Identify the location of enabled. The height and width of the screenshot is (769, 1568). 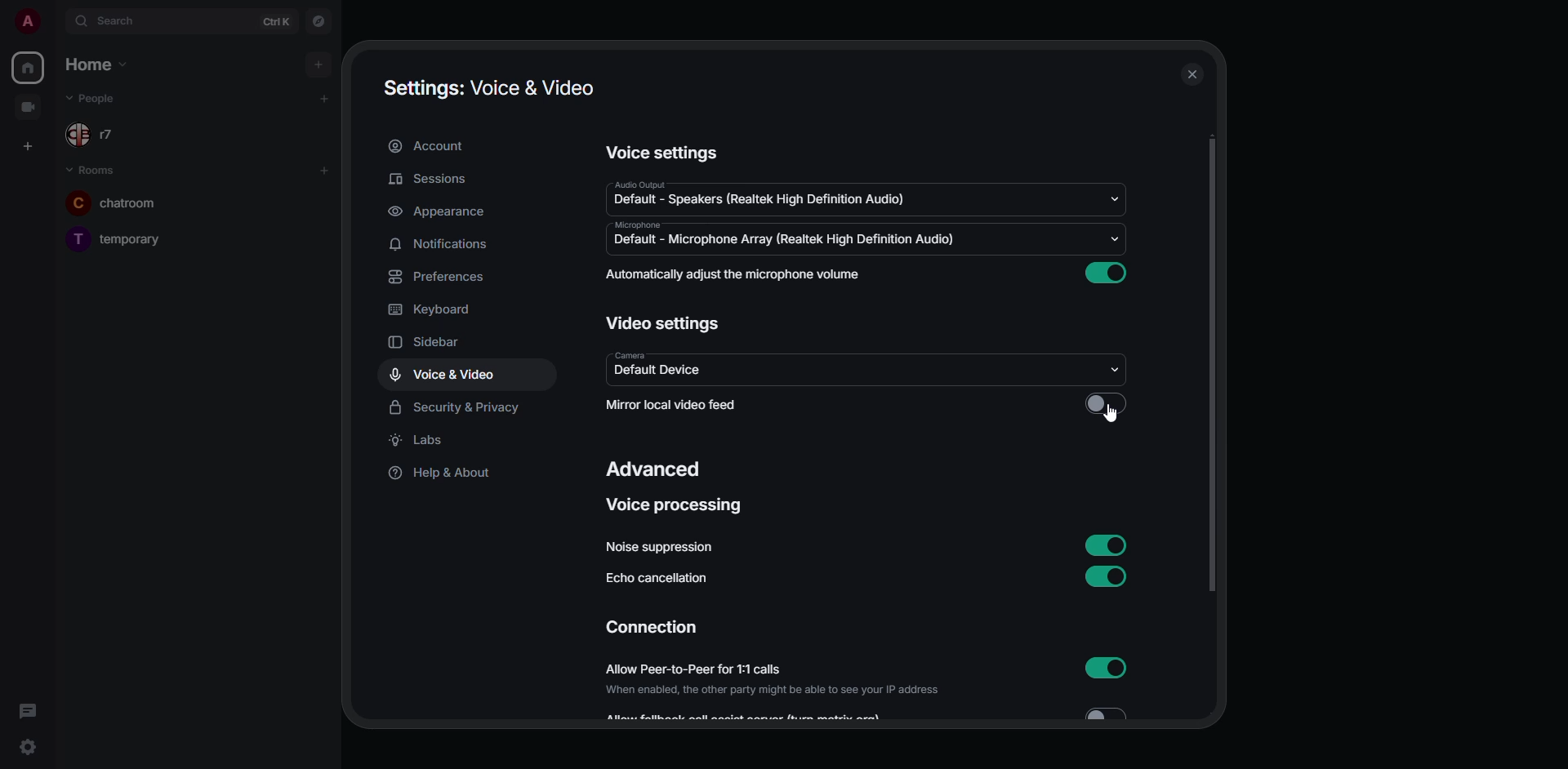
(1109, 665).